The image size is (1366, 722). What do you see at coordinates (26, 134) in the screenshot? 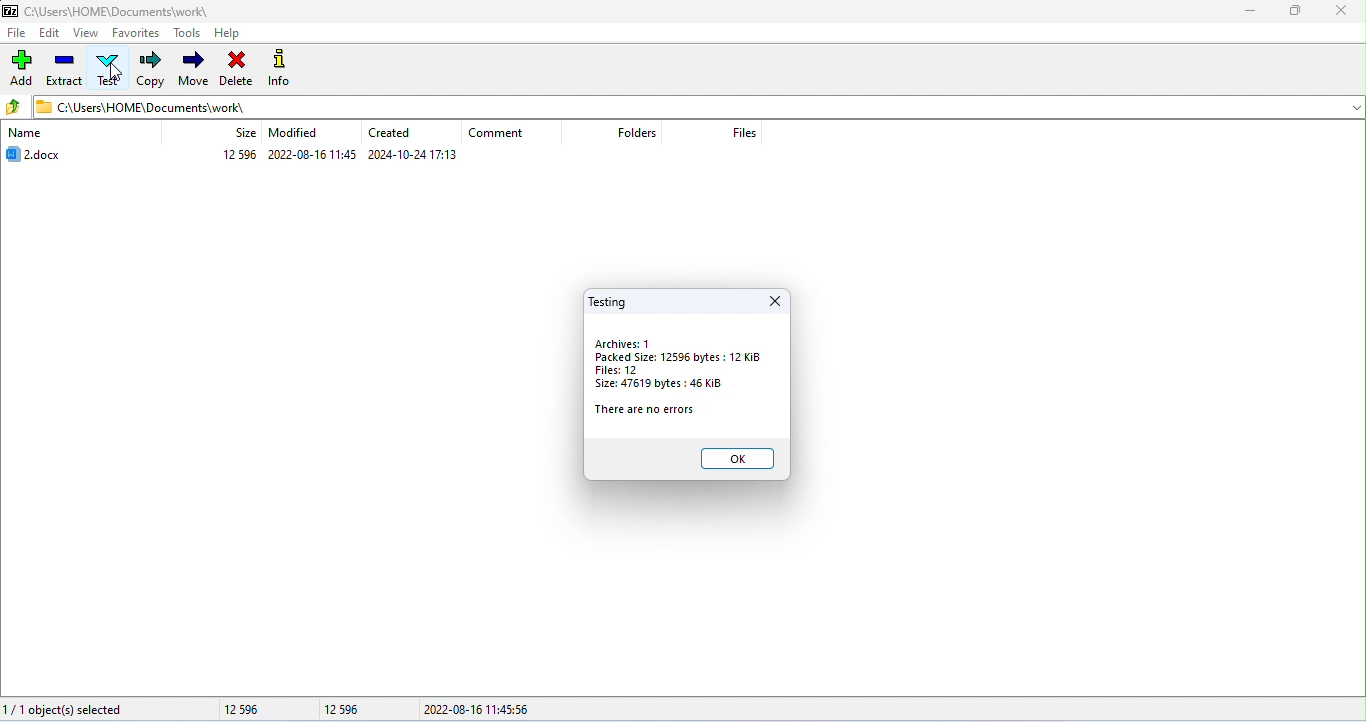
I see `name` at bounding box center [26, 134].